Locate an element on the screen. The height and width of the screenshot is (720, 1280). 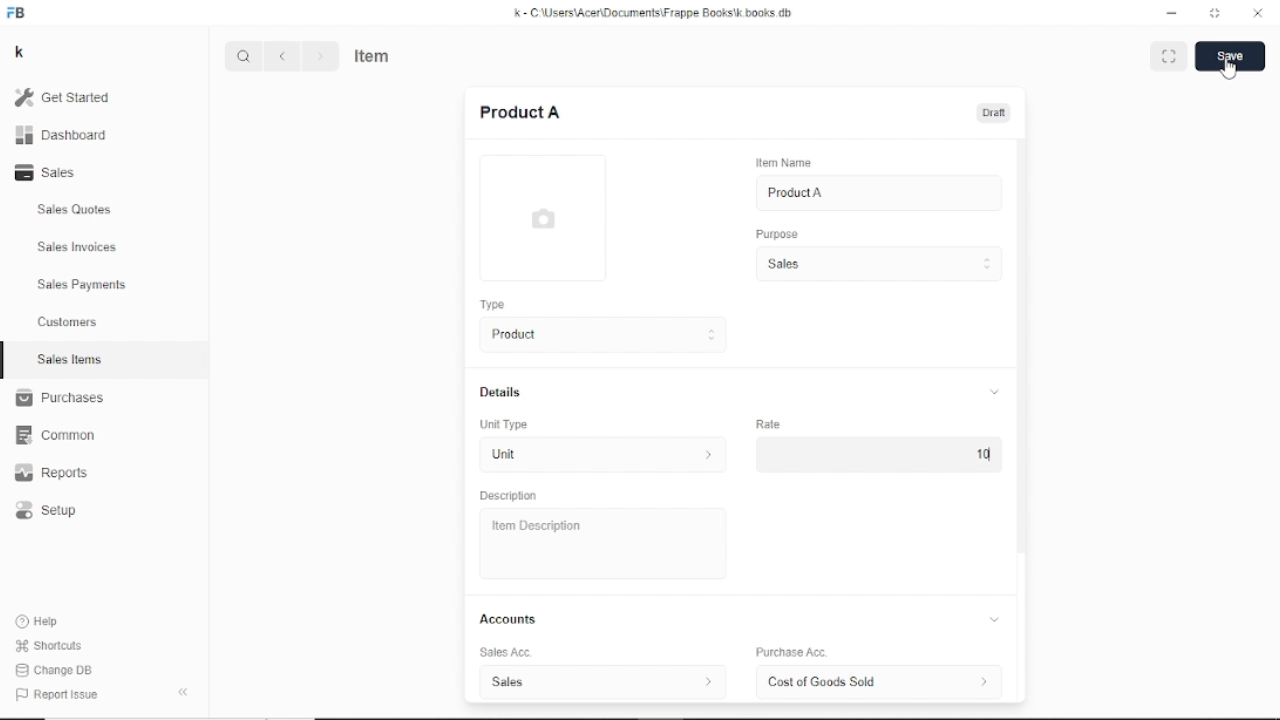
Reports is located at coordinates (52, 472).